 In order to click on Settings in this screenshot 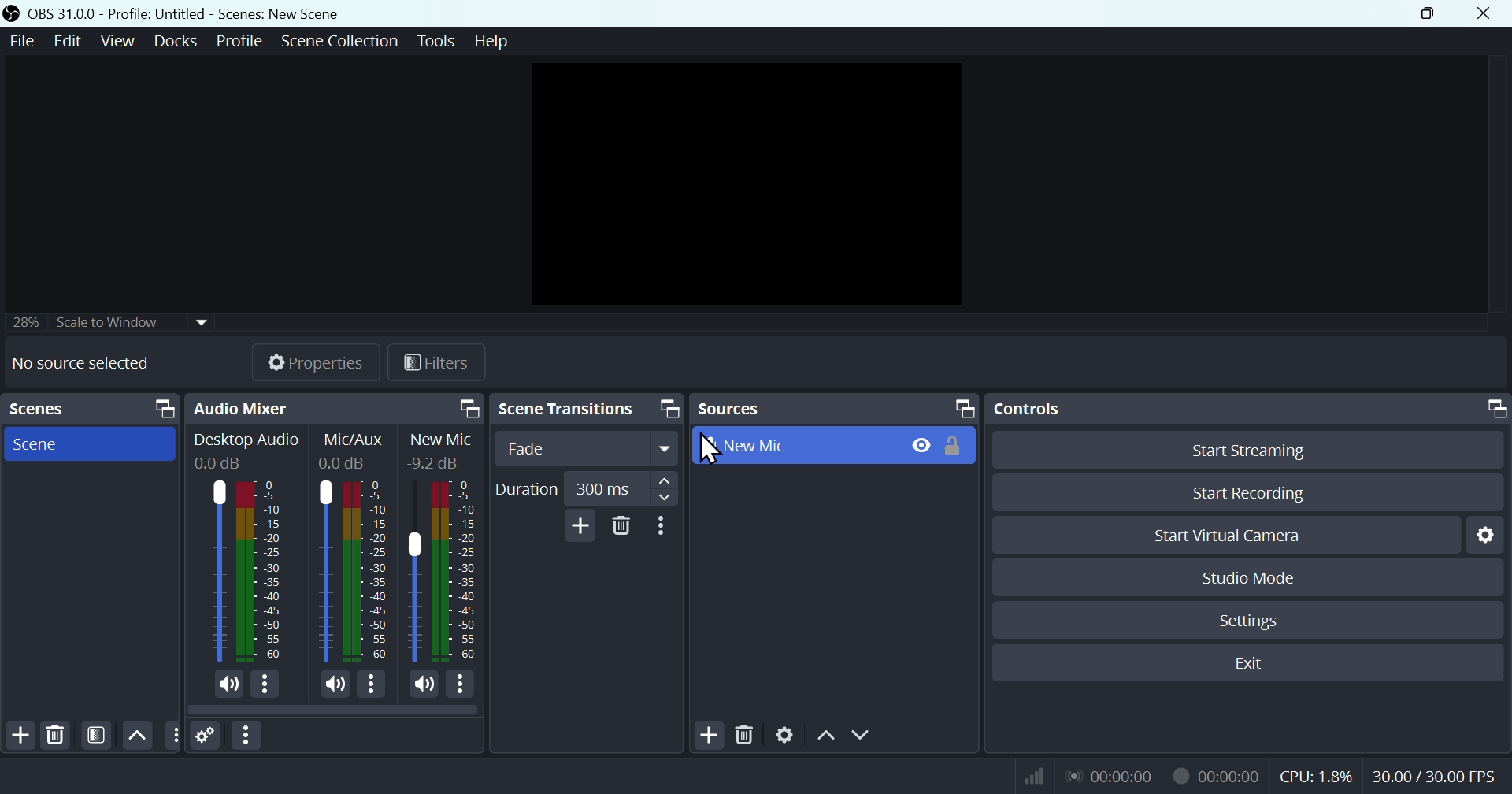, I will do `click(1255, 625)`.